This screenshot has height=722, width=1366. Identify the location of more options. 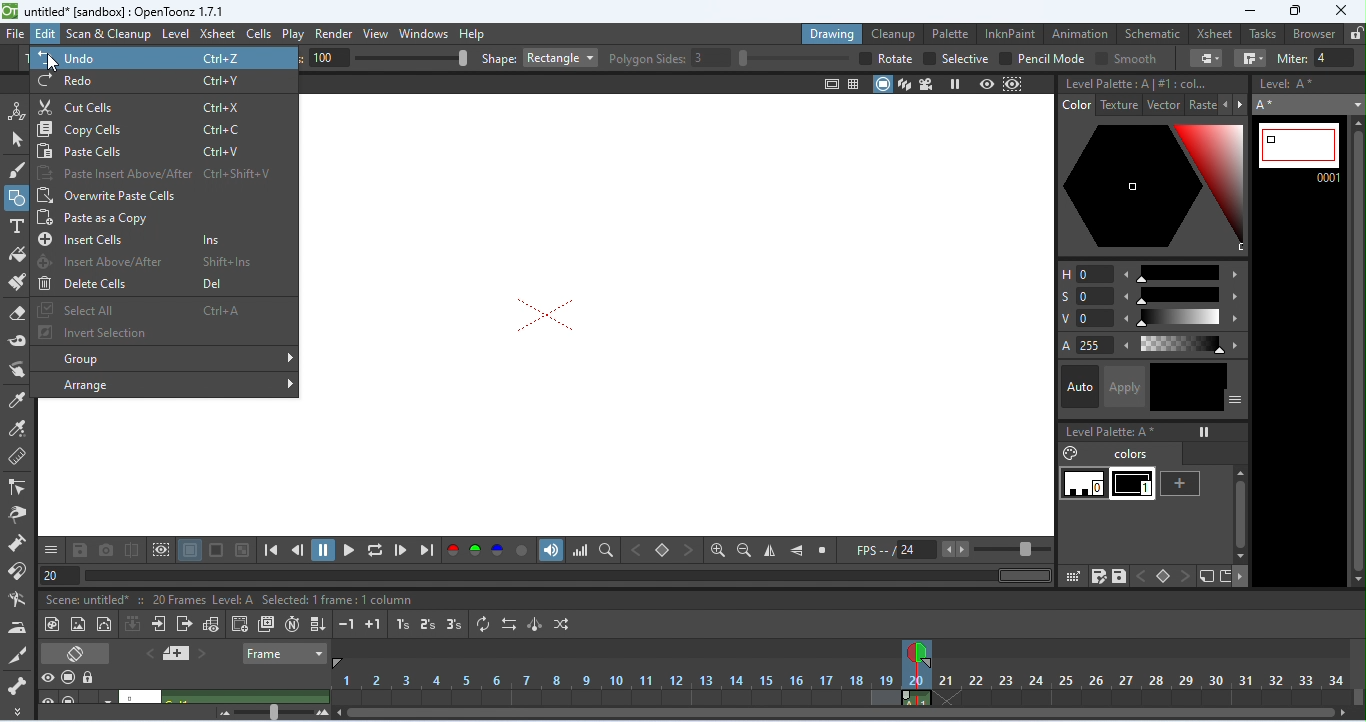
(1241, 577).